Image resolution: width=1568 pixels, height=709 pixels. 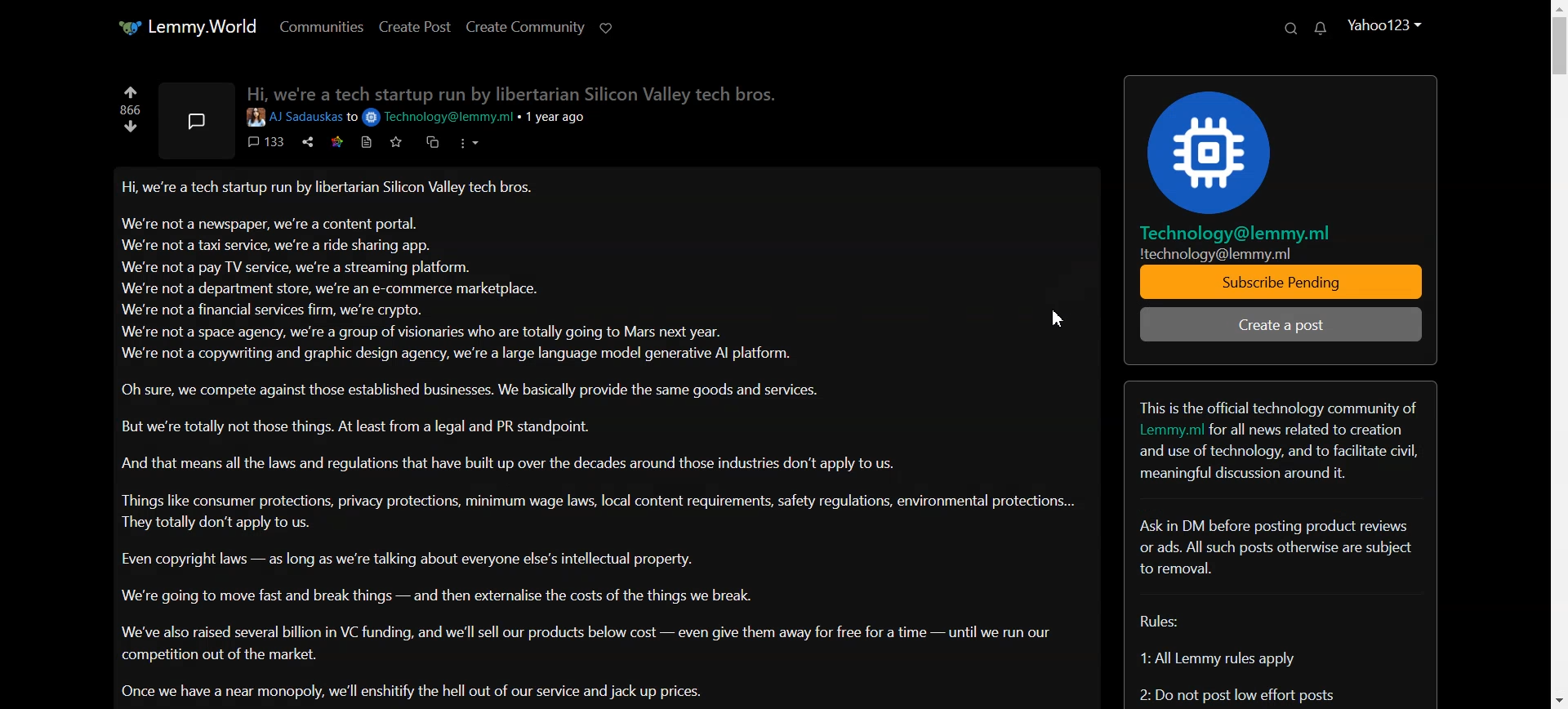 What do you see at coordinates (413, 26) in the screenshot?
I see `Create Post` at bounding box center [413, 26].